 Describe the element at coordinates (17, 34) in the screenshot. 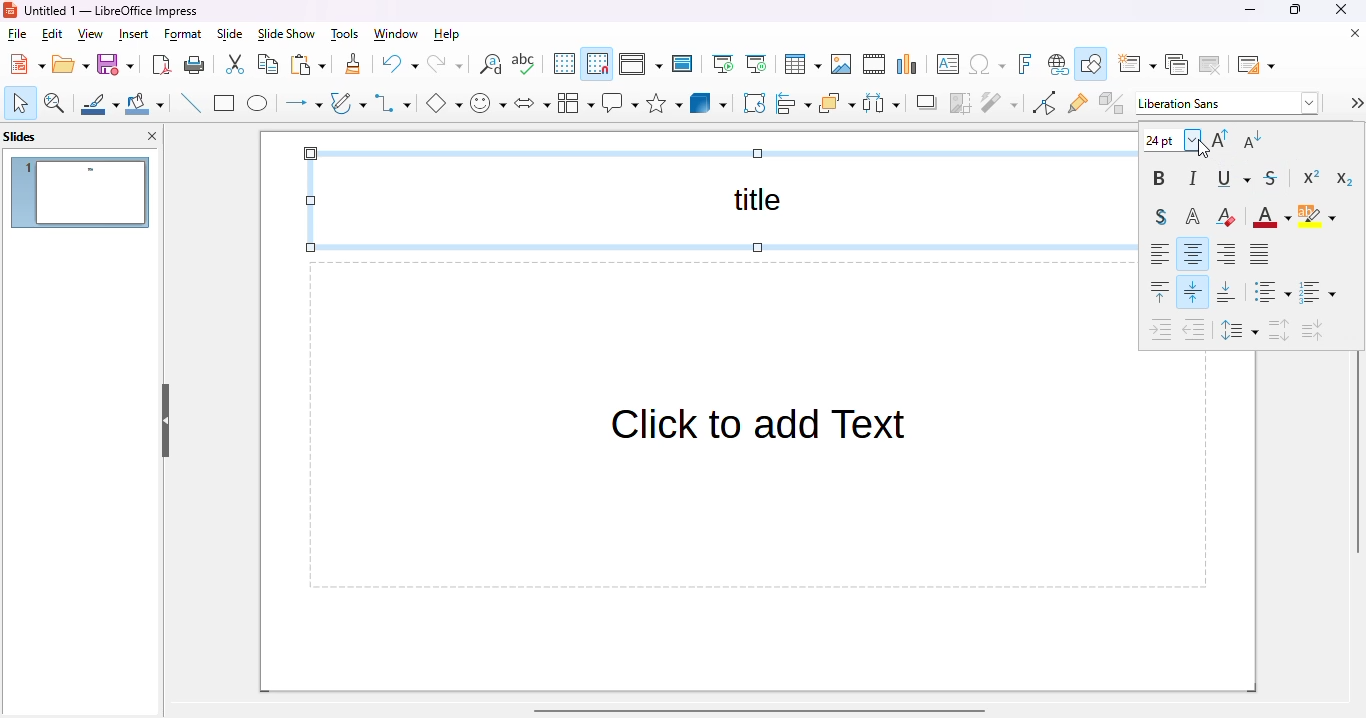

I see `file` at that location.